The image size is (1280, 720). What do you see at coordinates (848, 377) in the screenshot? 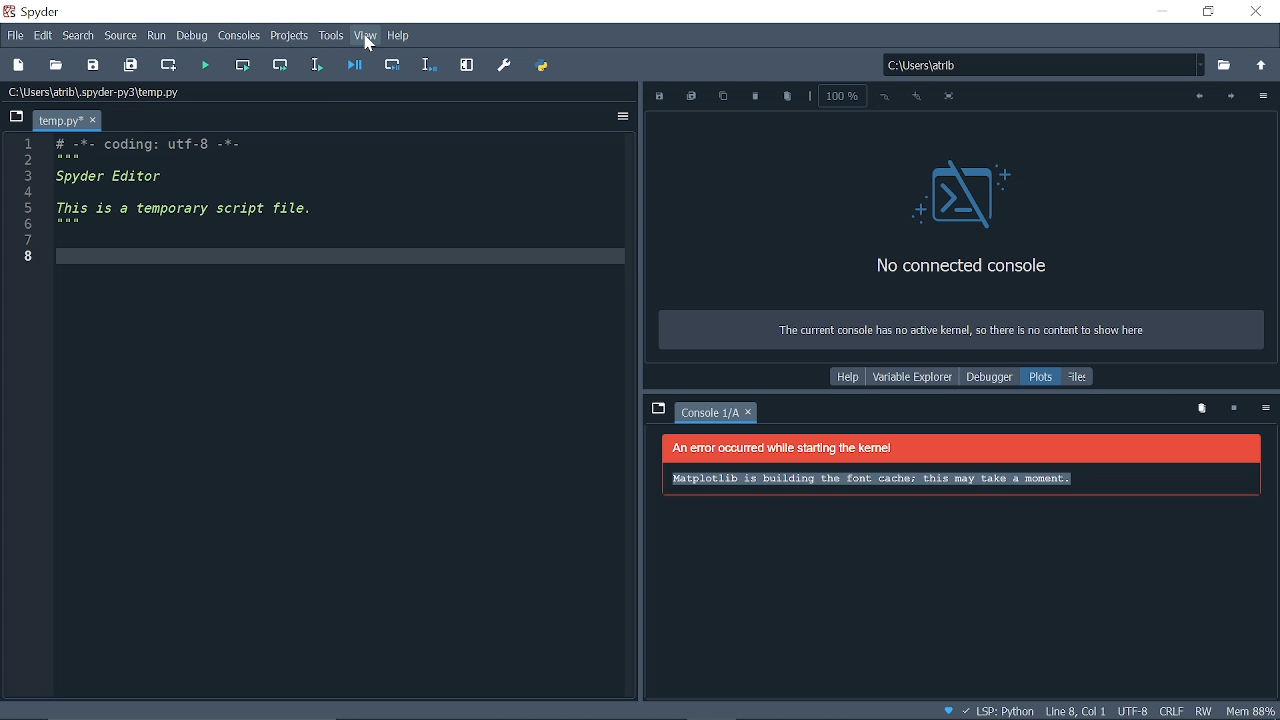
I see `Help` at bounding box center [848, 377].